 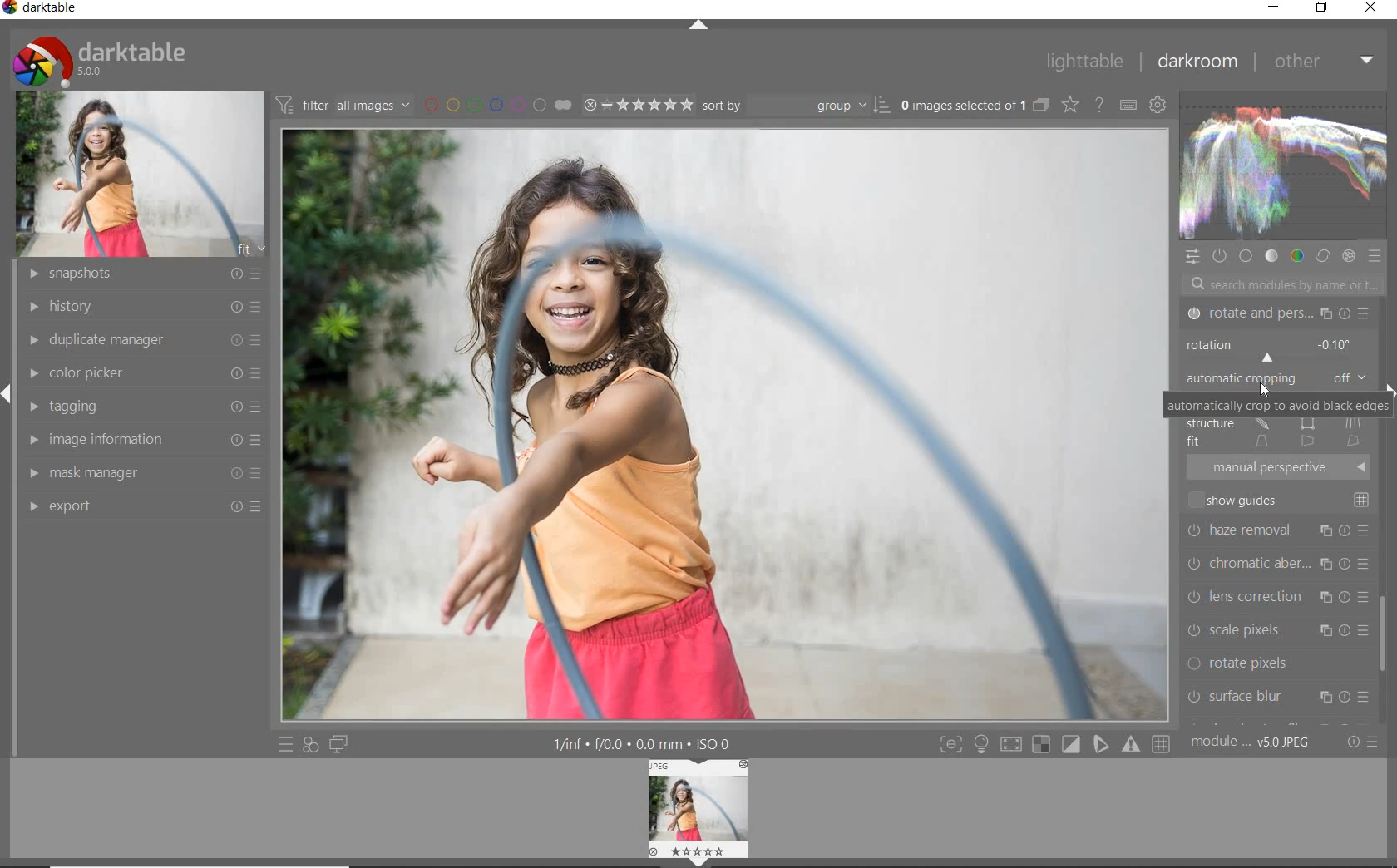 I want to click on display a second darkroom image window, so click(x=338, y=745).